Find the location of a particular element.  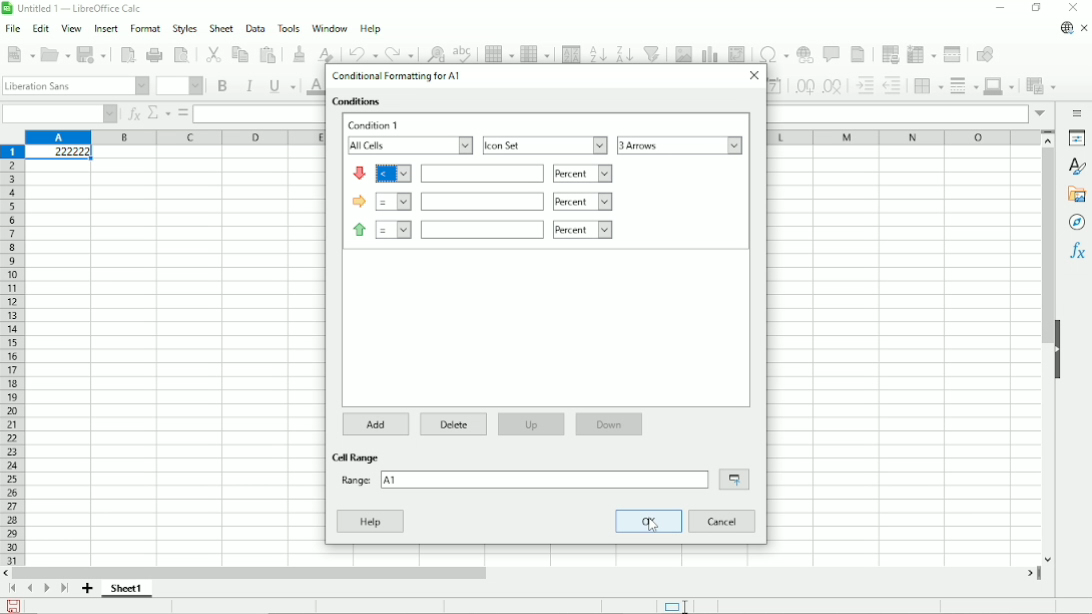

scroll left is located at coordinates (8, 573).